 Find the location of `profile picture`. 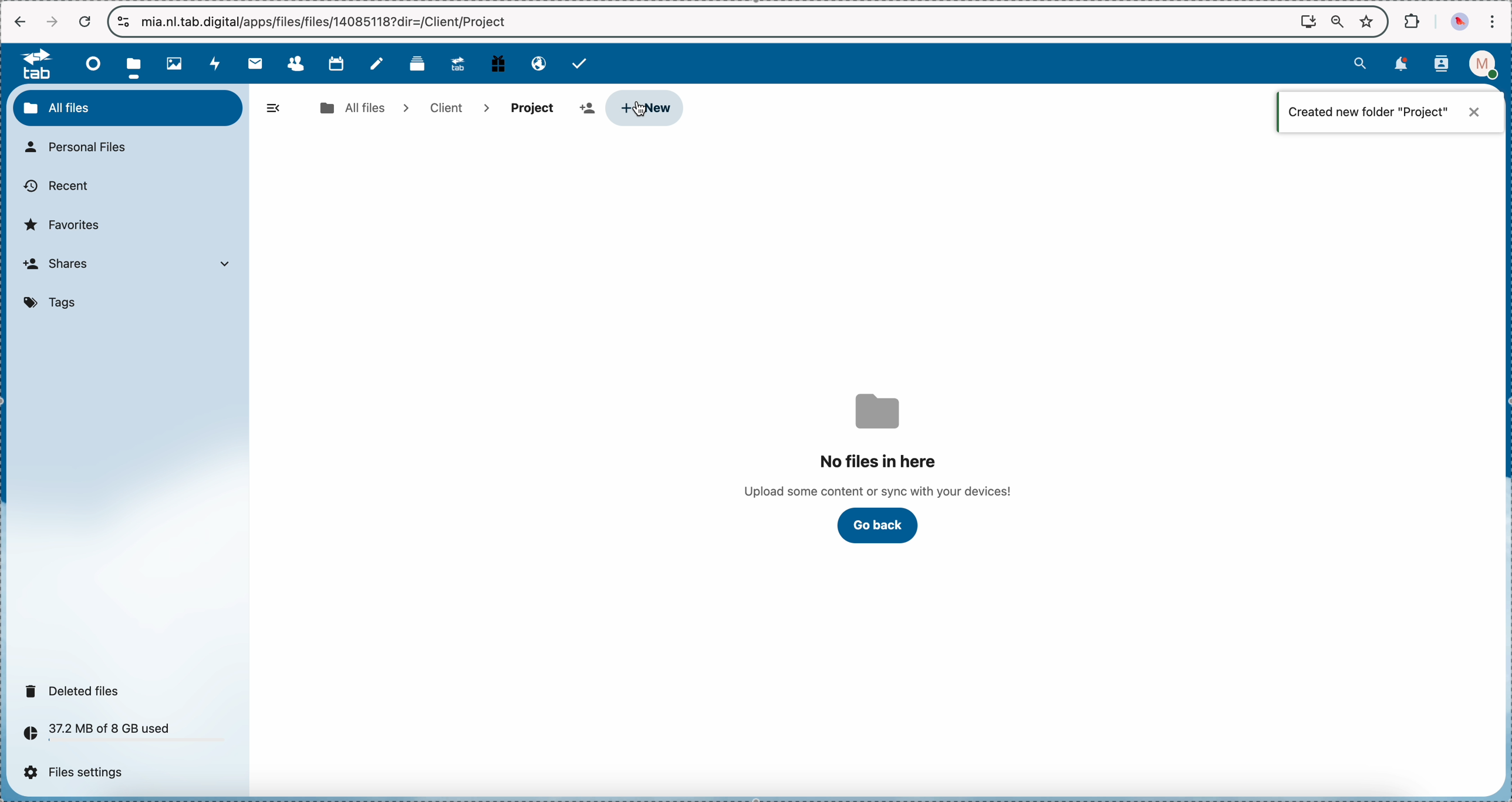

profile picture is located at coordinates (1462, 22).